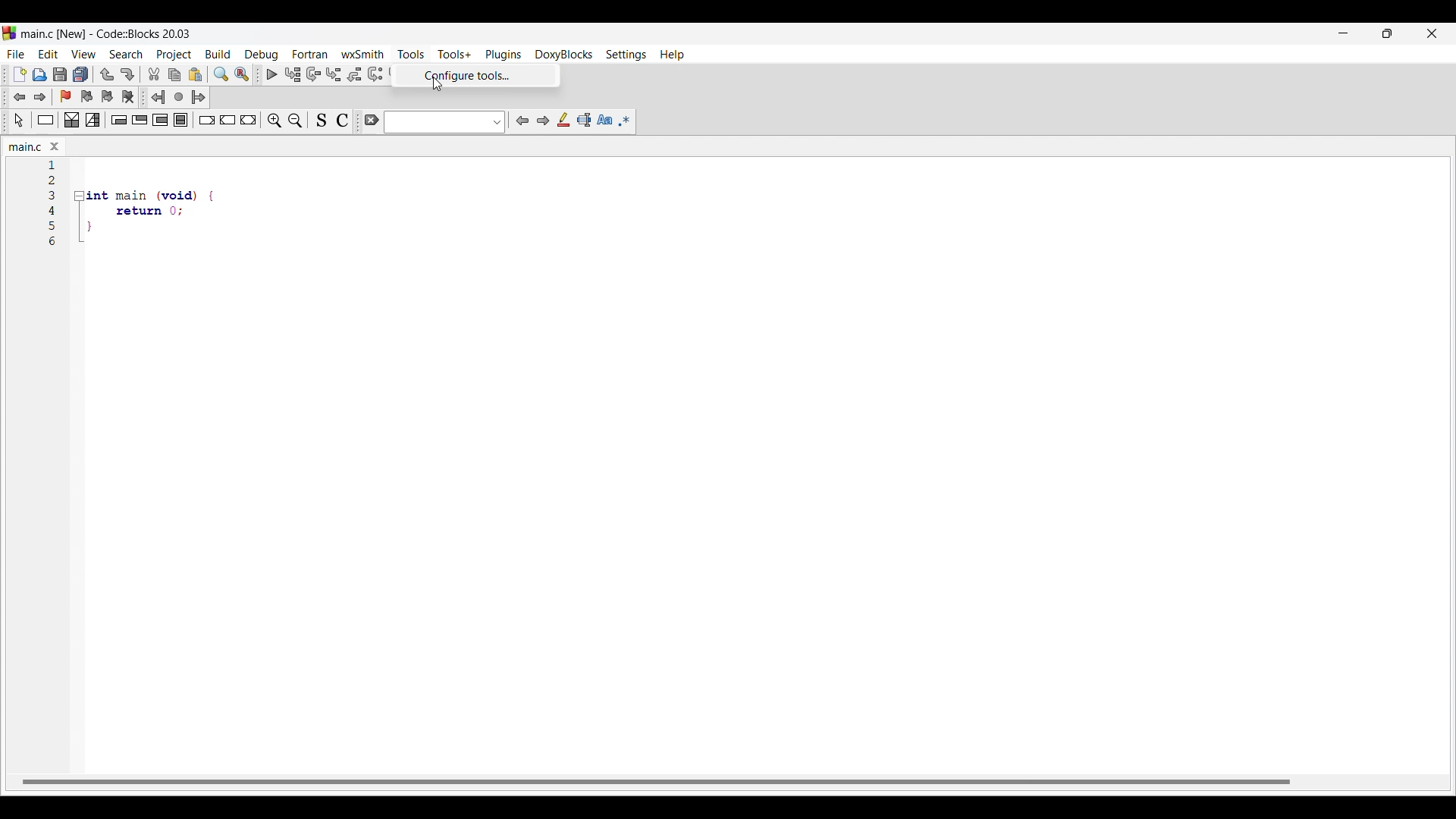  Describe the element at coordinates (271, 74) in the screenshot. I see `Debug/Continue` at that location.